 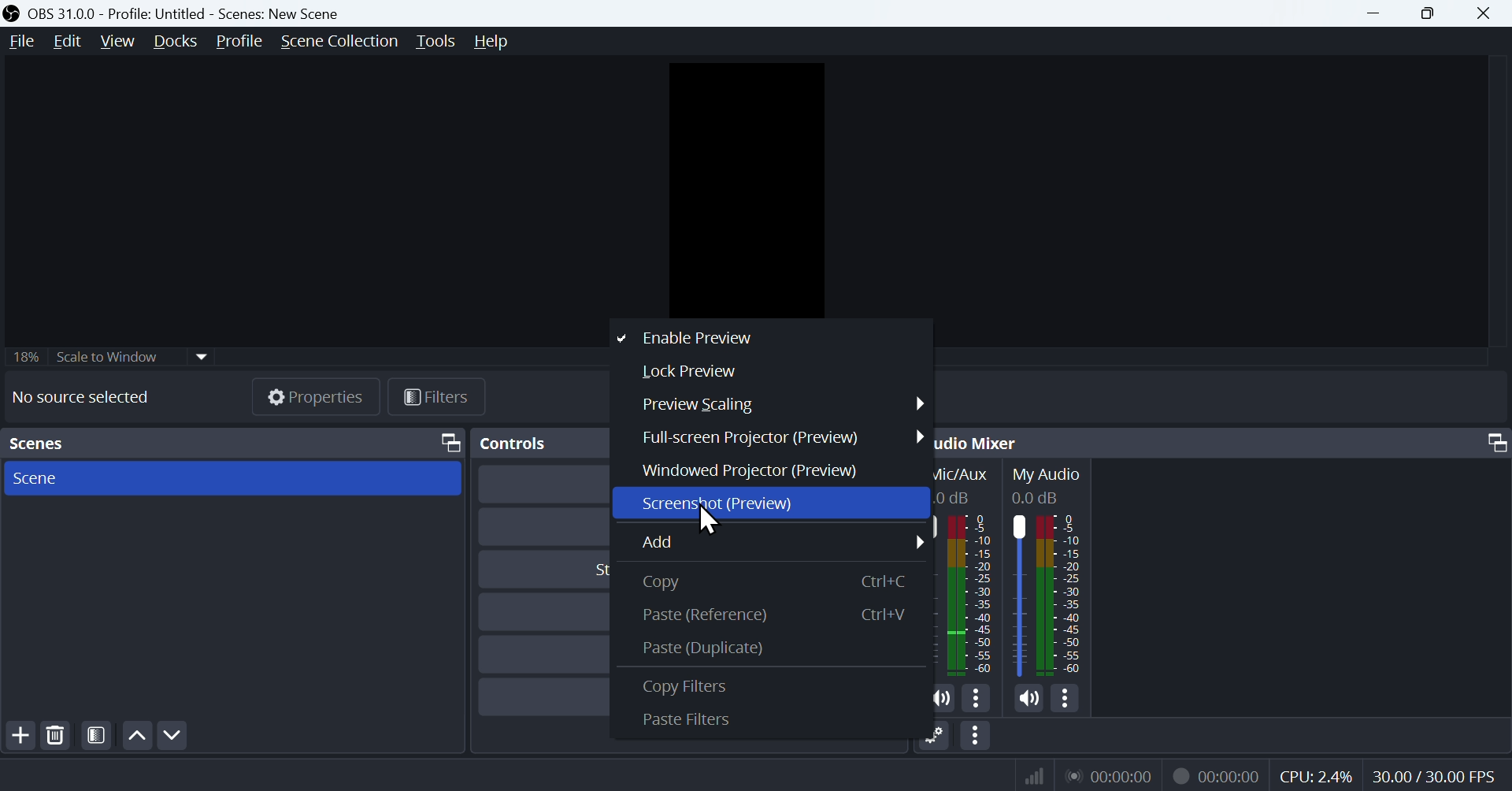 What do you see at coordinates (93, 733) in the screenshot?
I see `Scene Filters` at bounding box center [93, 733].